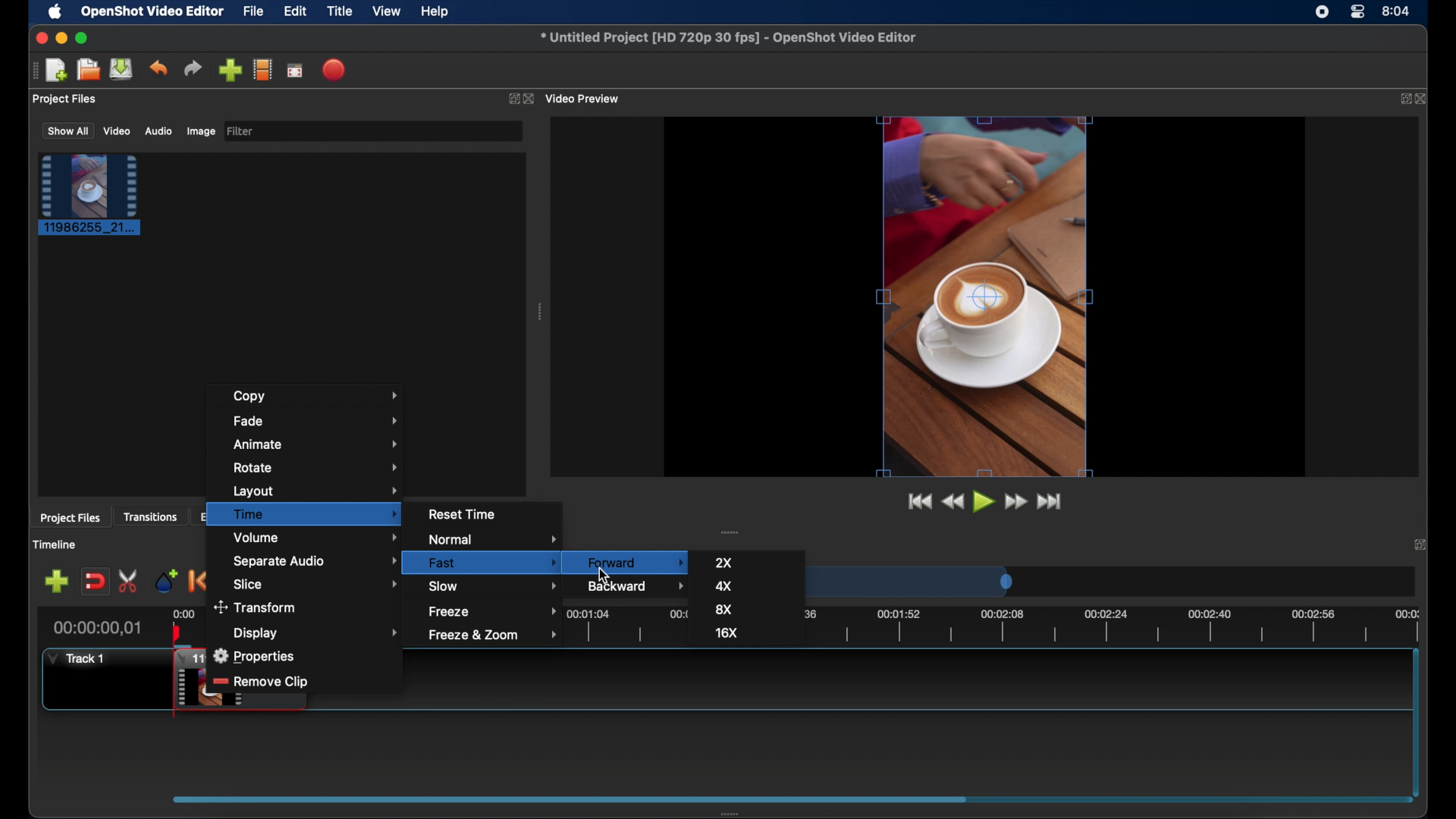 The height and width of the screenshot is (819, 1456). I want to click on import files, so click(229, 71).